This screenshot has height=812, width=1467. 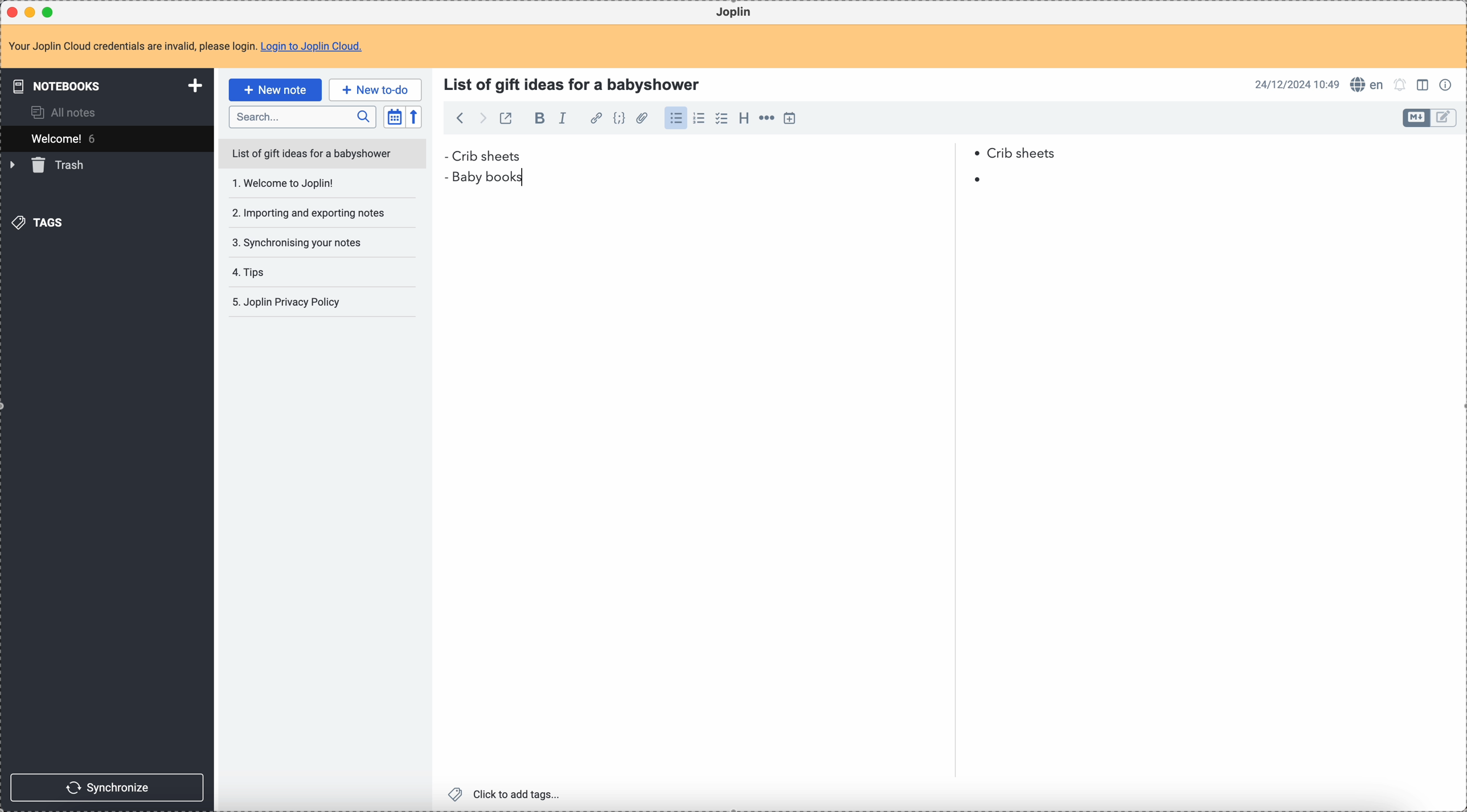 What do you see at coordinates (644, 119) in the screenshot?
I see `attach file` at bounding box center [644, 119].